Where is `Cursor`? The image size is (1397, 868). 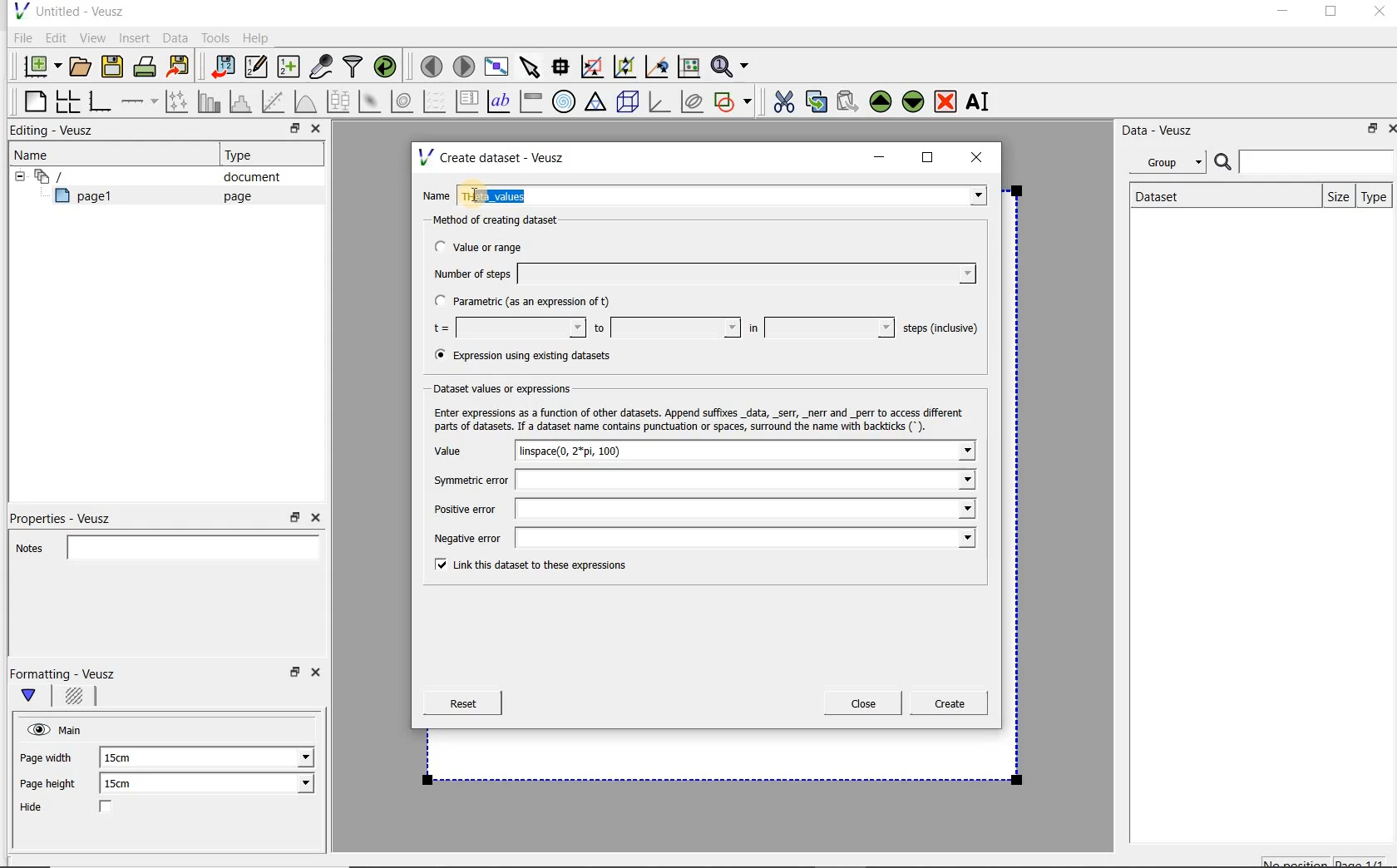
Cursor is located at coordinates (493, 191).